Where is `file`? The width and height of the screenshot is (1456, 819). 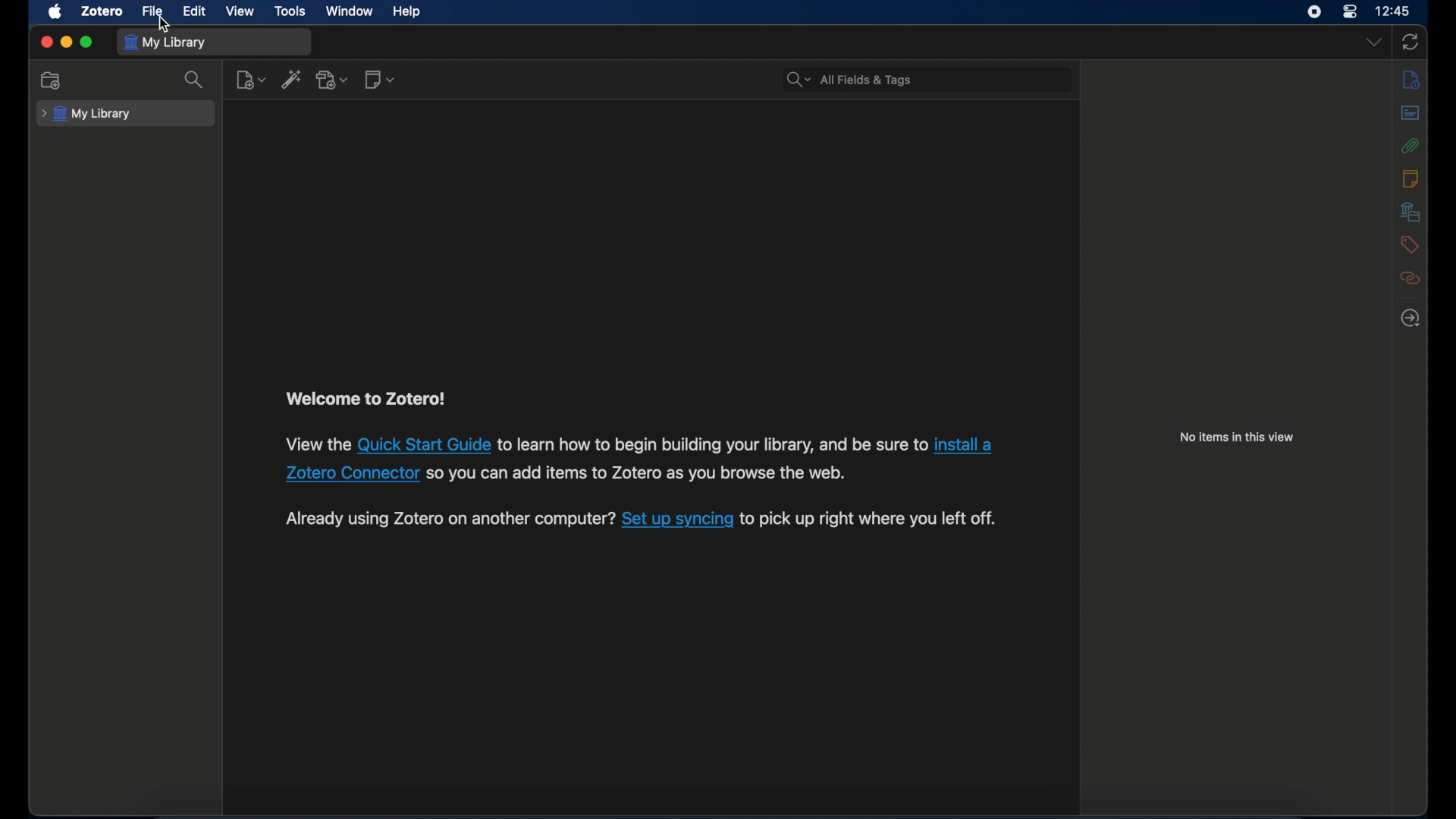
file is located at coordinates (154, 11).